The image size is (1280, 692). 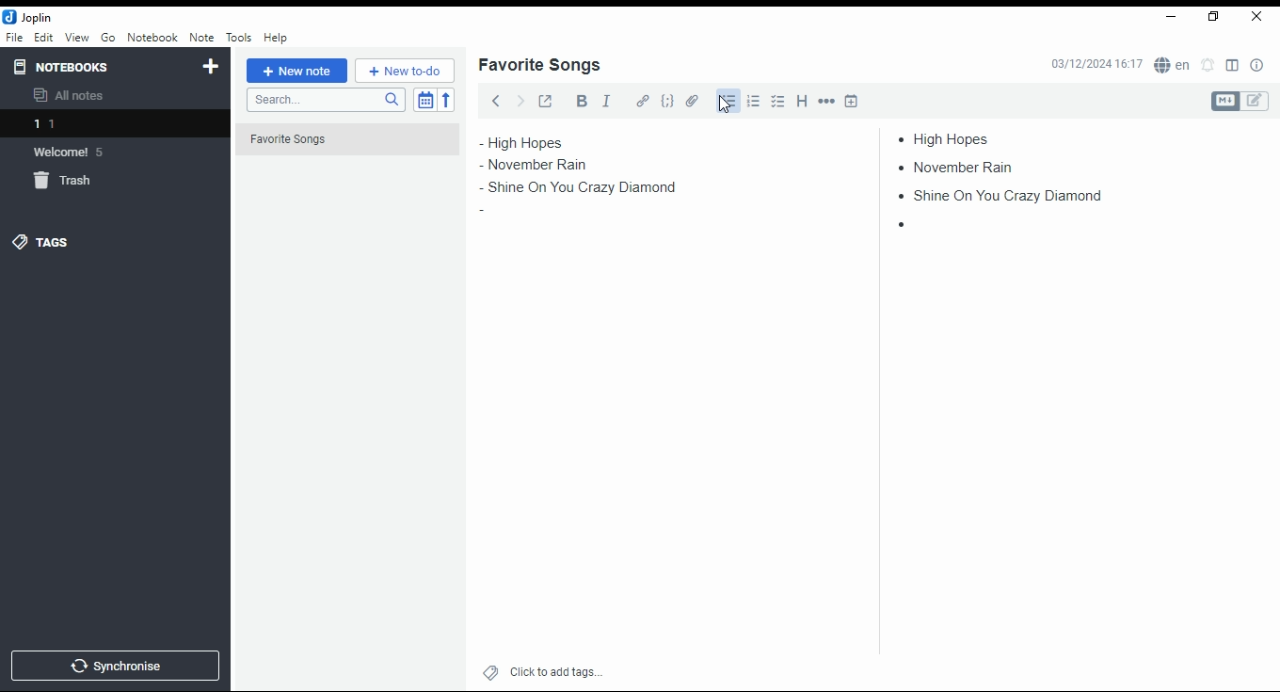 What do you see at coordinates (1216, 17) in the screenshot?
I see `restore` at bounding box center [1216, 17].